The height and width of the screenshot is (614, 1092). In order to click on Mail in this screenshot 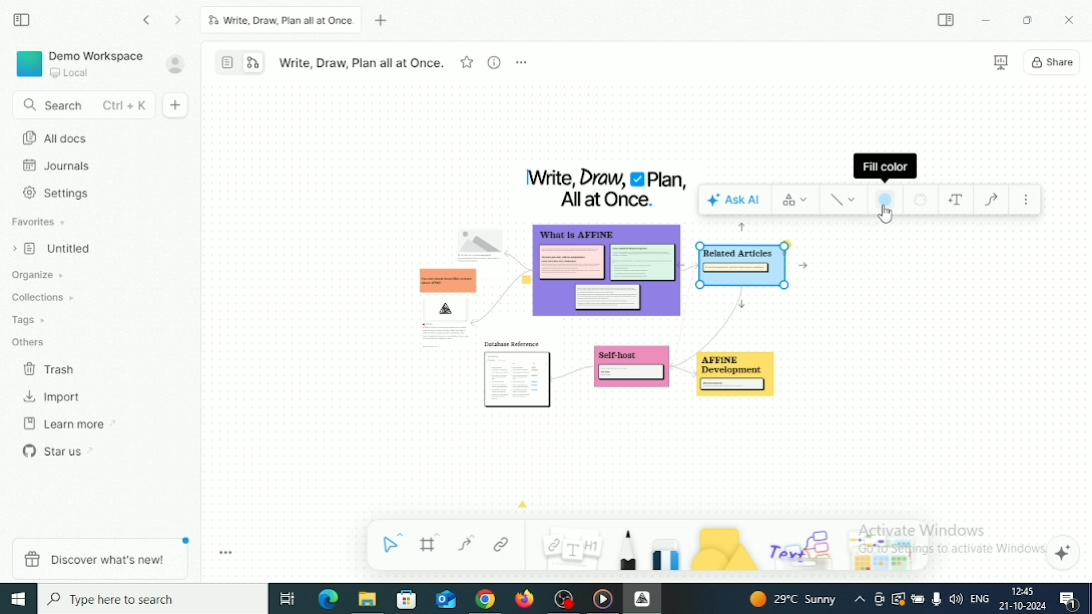, I will do `click(445, 599)`.